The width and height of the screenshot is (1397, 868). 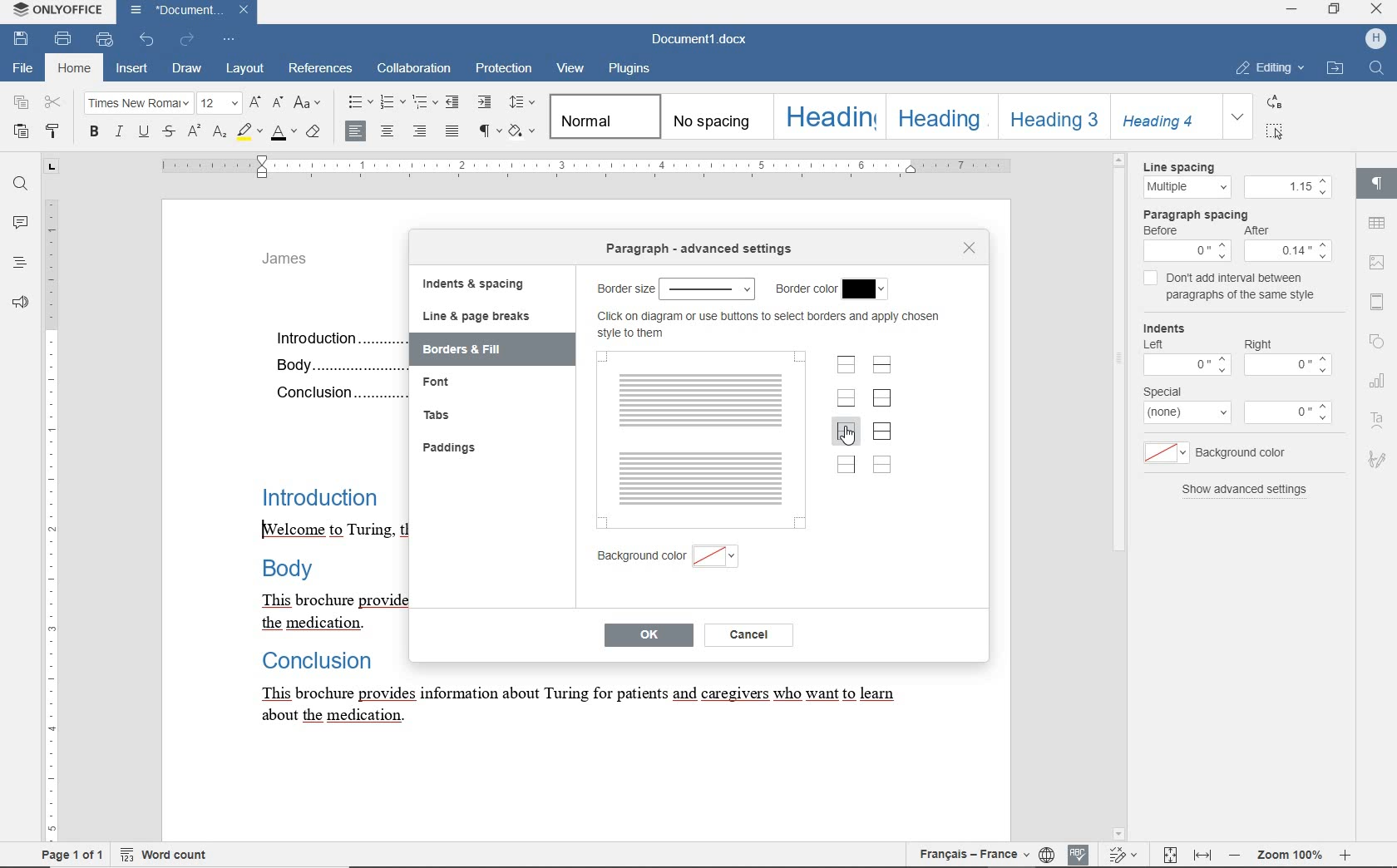 What do you see at coordinates (146, 133) in the screenshot?
I see `underline` at bounding box center [146, 133].